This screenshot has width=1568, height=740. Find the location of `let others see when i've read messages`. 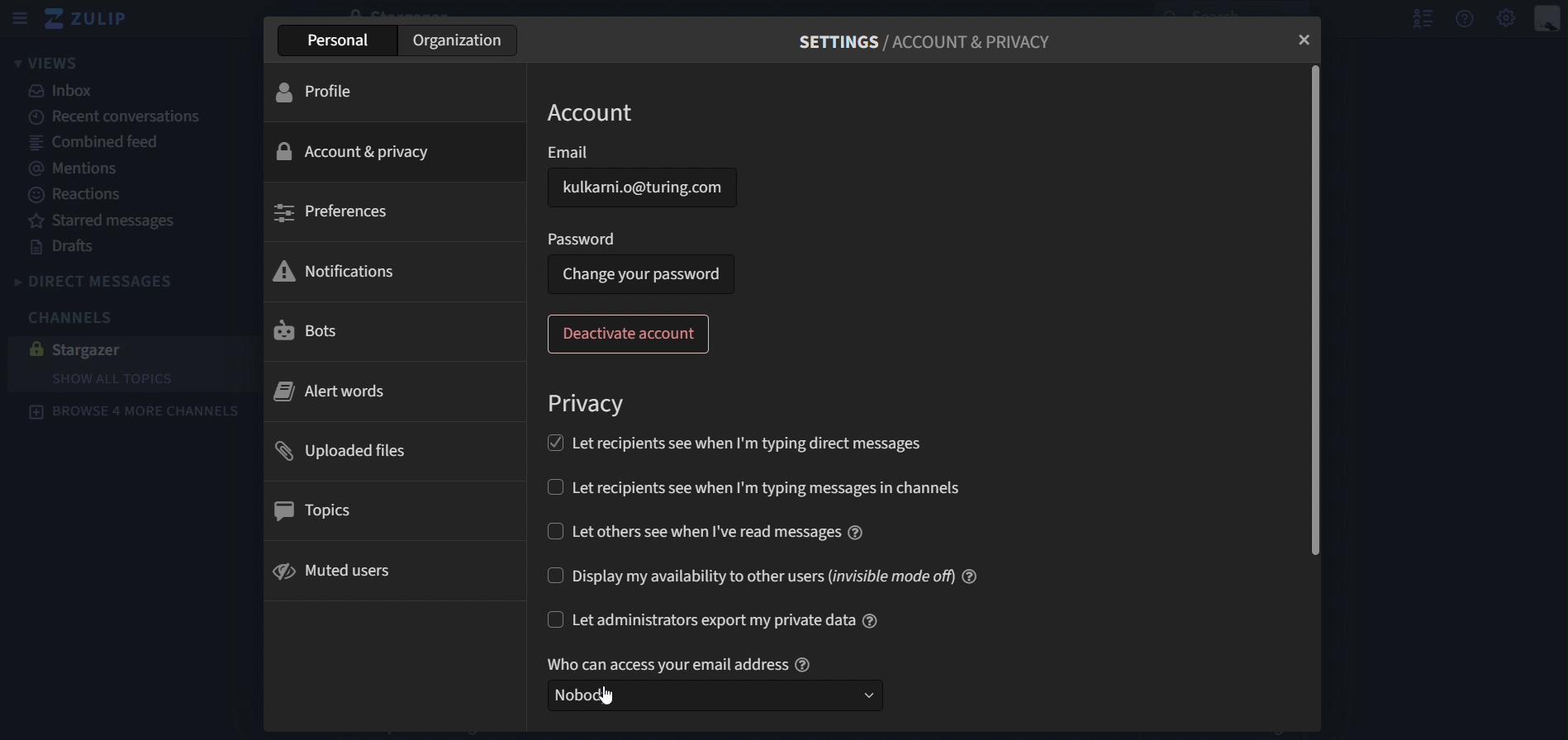

let others see when i've read messages is located at coordinates (706, 531).